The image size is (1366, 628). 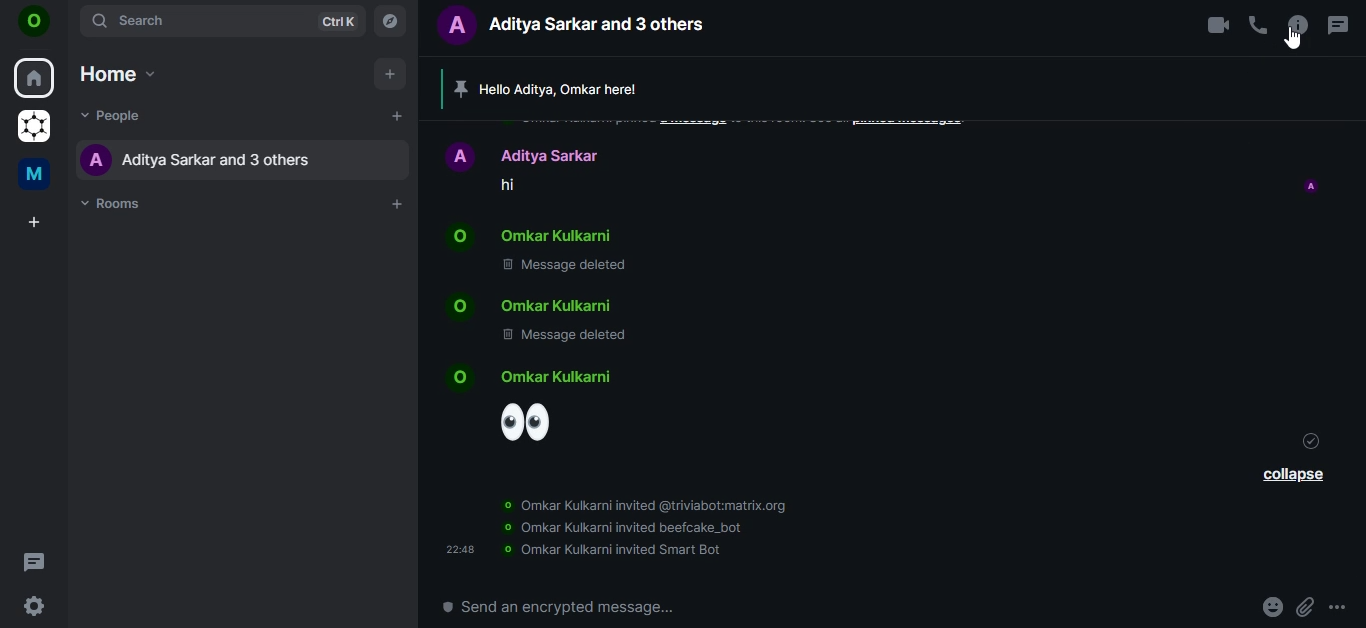 What do you see at coordinates (663, 169) in the screenshot?
I see ` chat messages` at bounding box center [663, 169].